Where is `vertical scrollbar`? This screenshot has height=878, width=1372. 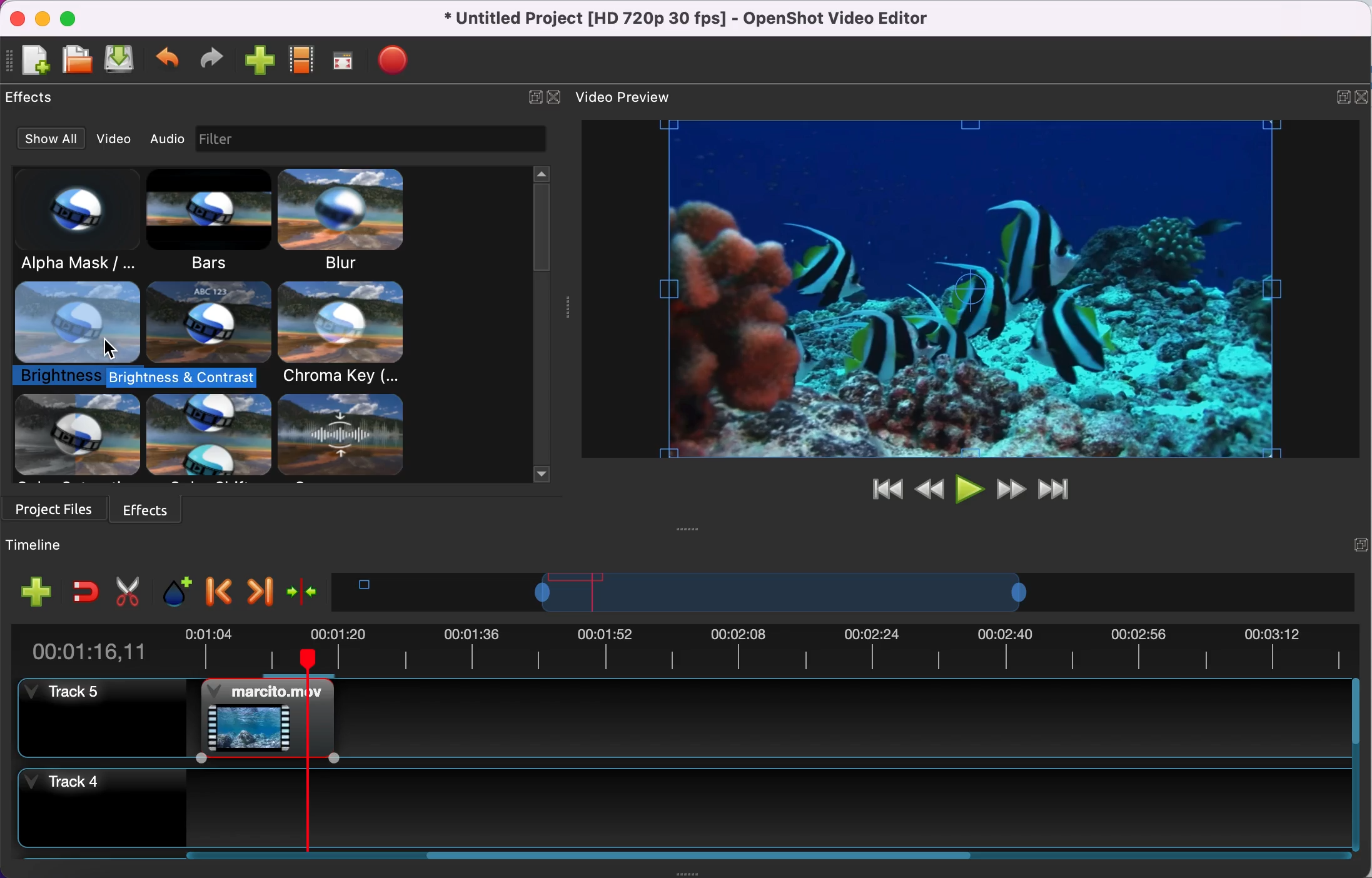 vertical scrollbar is located at coordinates (541, 228).